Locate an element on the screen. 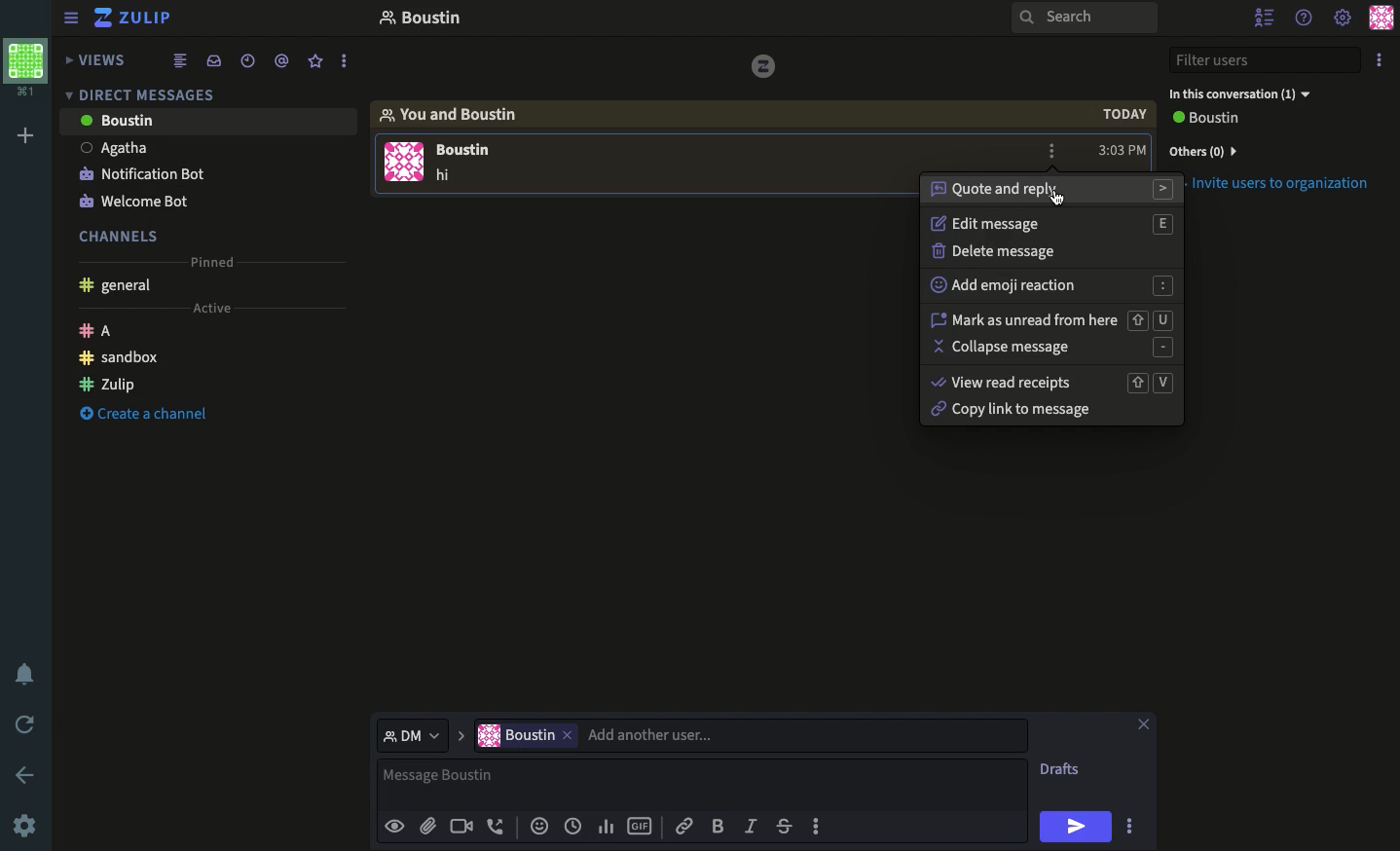  Sandbox is located at coordinates (122, 357).